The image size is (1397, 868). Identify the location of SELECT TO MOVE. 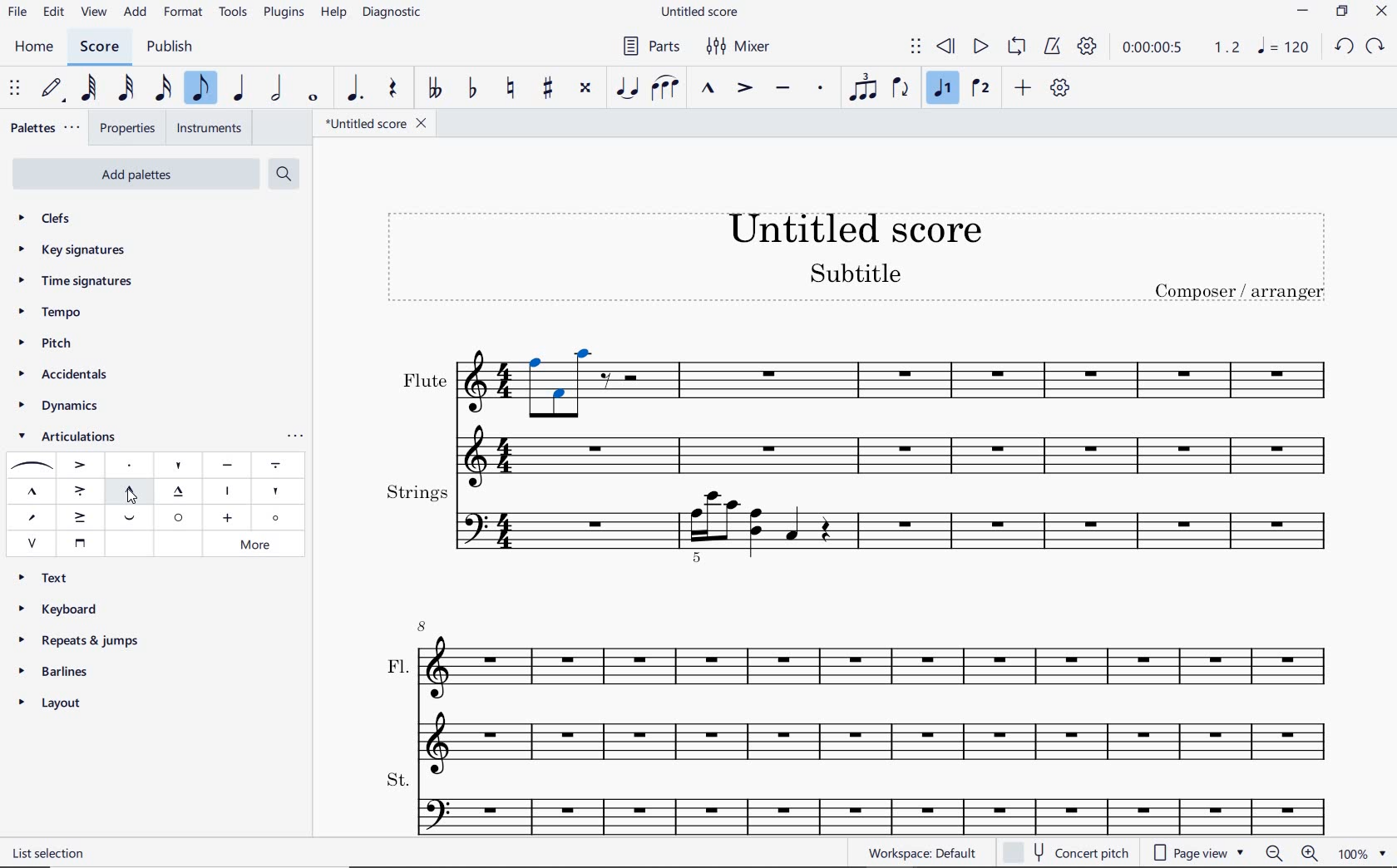
(15, 89).